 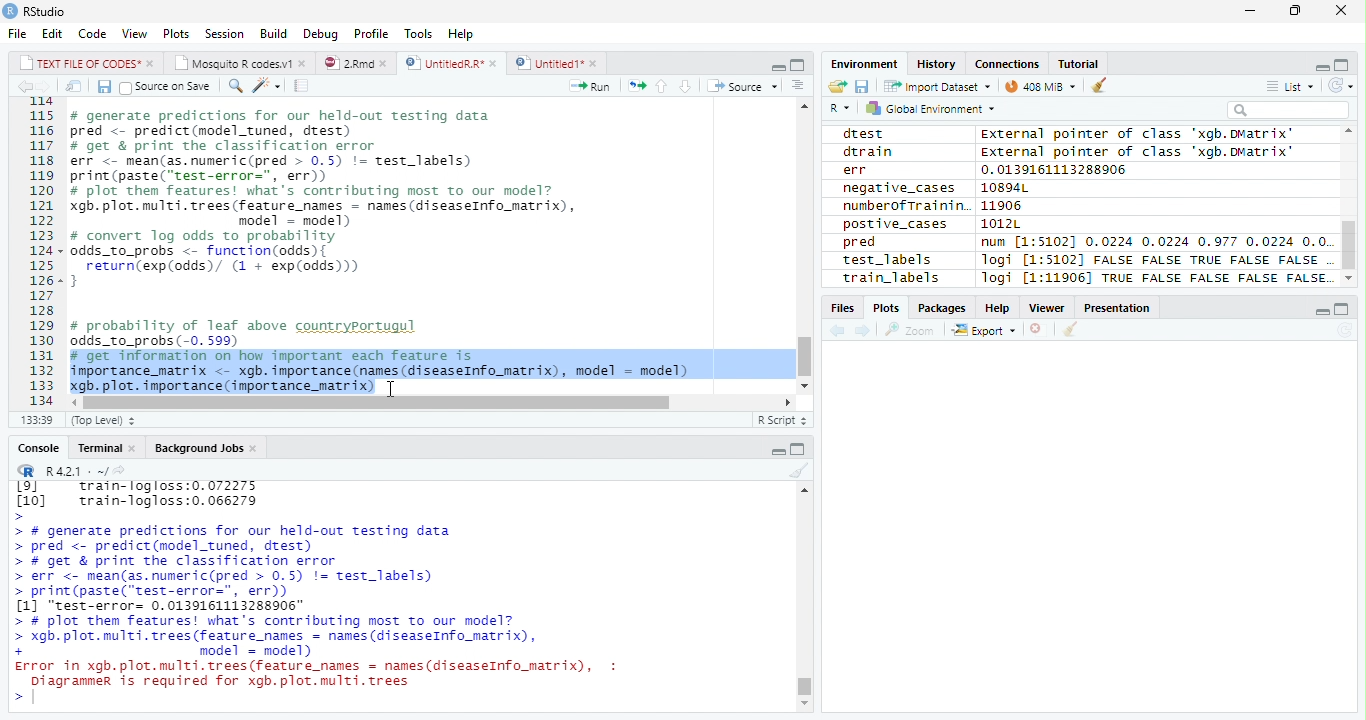 What do you see at coordinates (1318, 65) in the screenshot?
I see `Minimize` at bounding box center [1318, 65].